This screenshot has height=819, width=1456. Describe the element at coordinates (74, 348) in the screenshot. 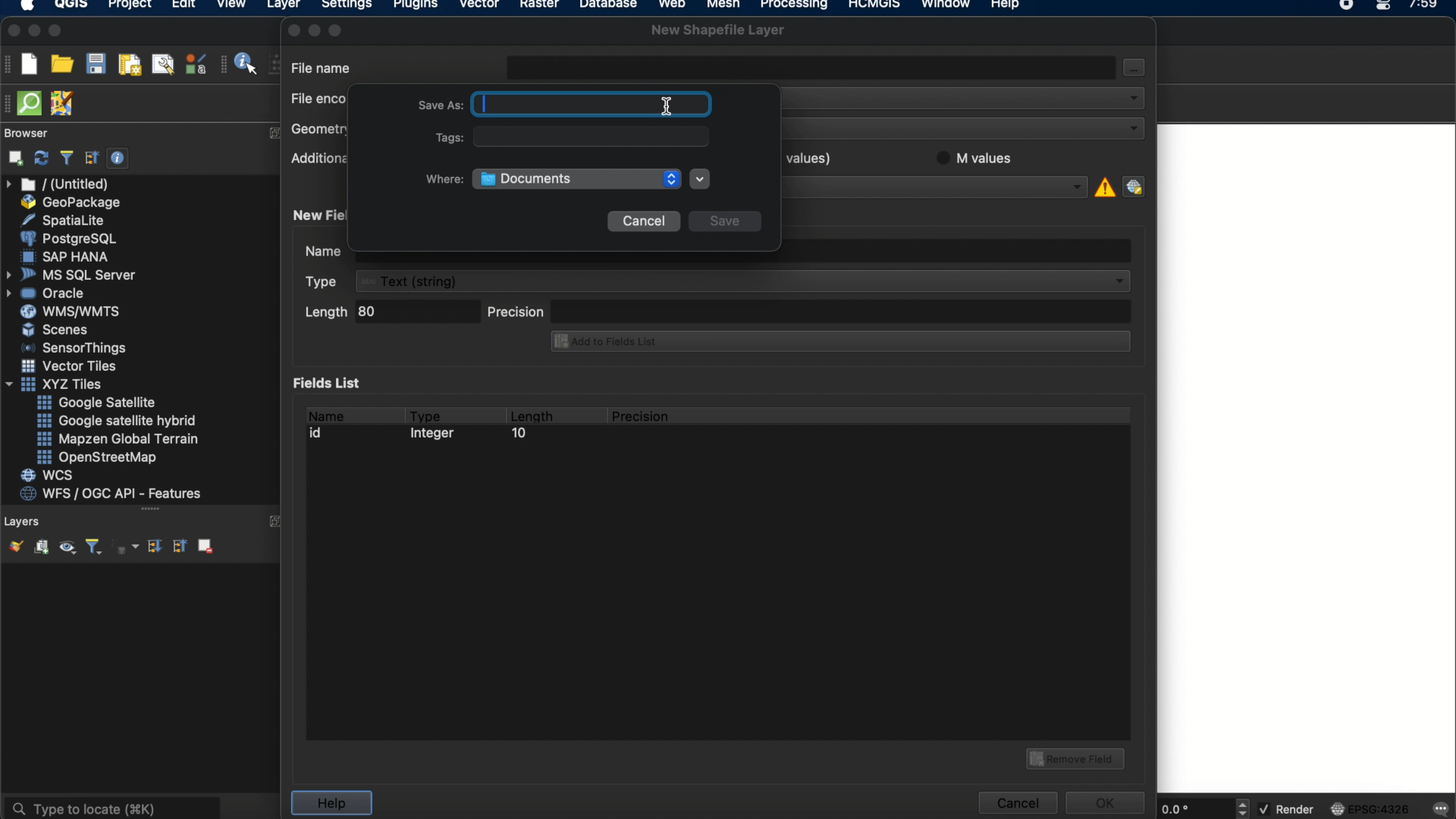

I see `sensorthings` at that location.